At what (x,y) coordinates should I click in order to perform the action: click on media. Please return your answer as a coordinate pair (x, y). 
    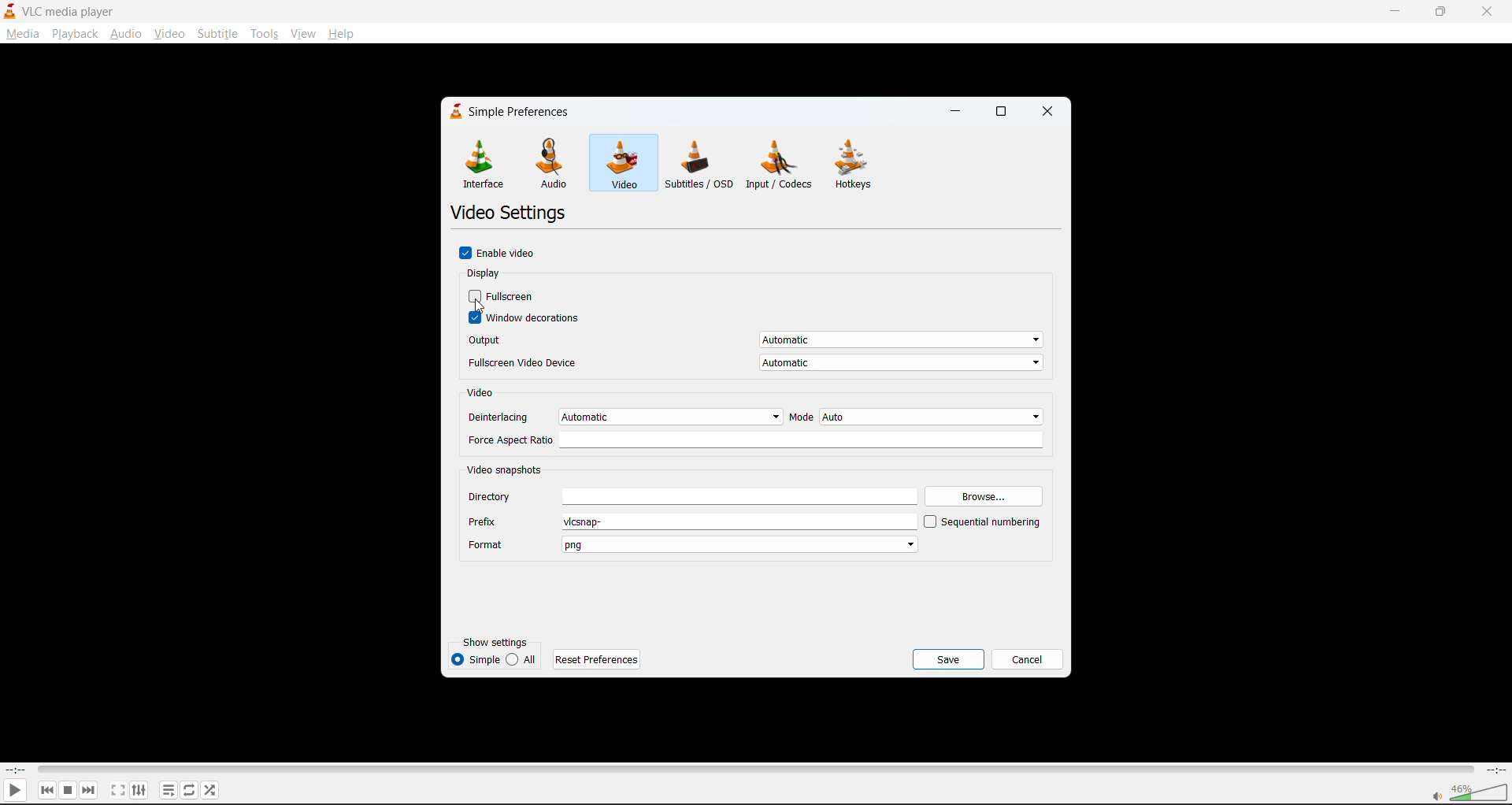
    Looking at the image, I should click on (20, 33).